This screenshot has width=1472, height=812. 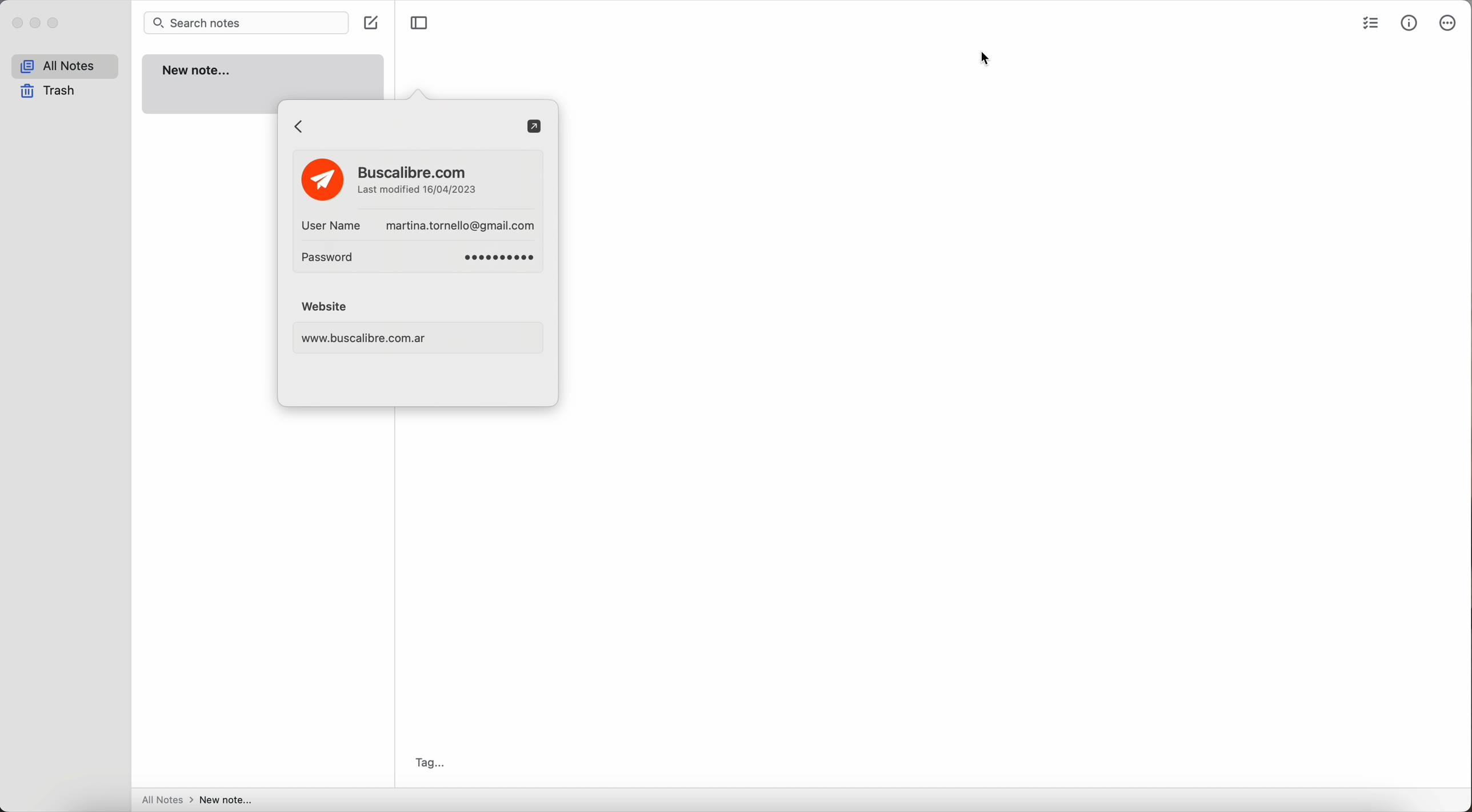 What do you see at coordinates (419, 181) in the screenshot?
I see `Buscalibre.com` at bounding box center [419, 181].